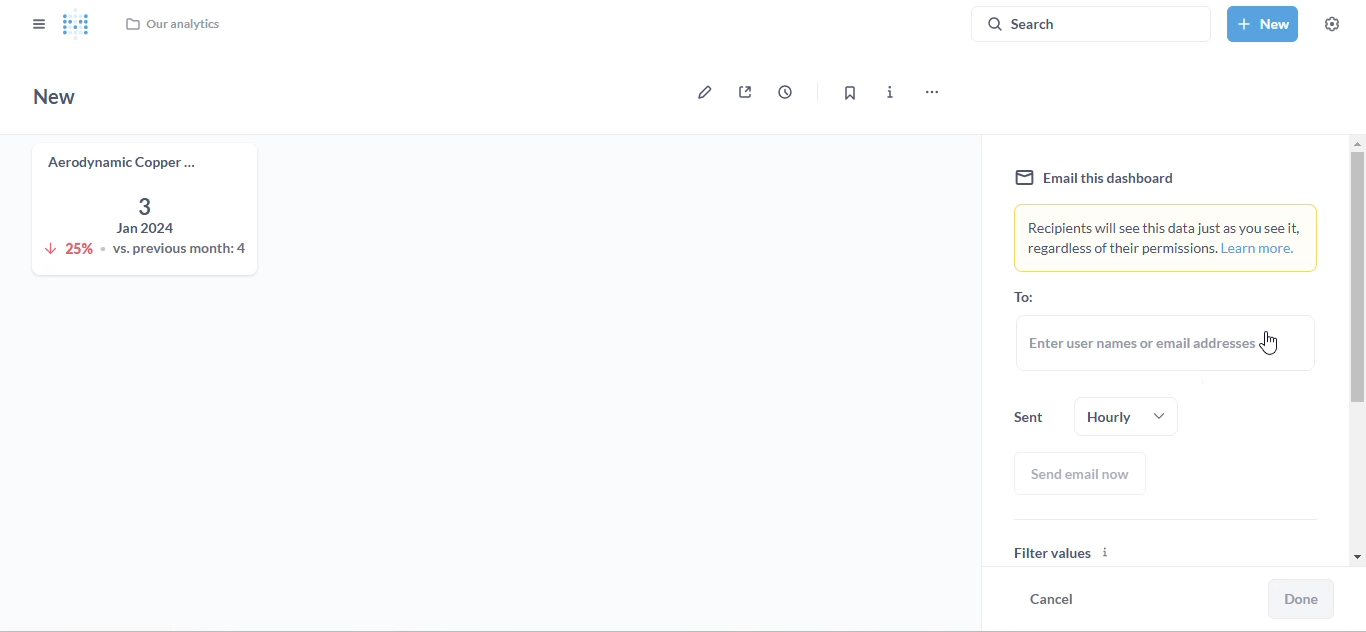  Describe the element at coordinates (55, 96) in the screenshot. I see `new` at that location.